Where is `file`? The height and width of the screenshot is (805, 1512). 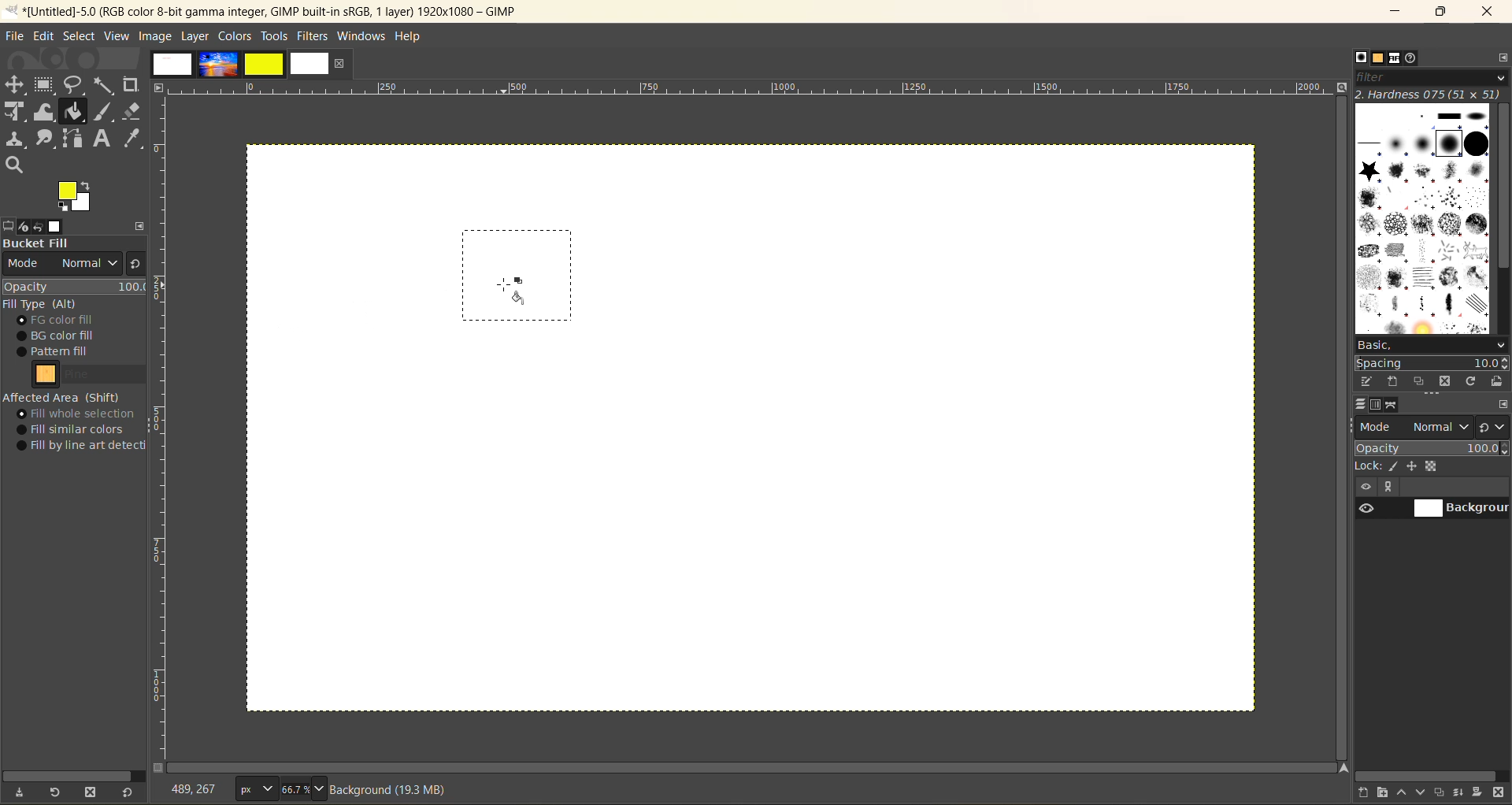
file is located at coordinates (16, 36).